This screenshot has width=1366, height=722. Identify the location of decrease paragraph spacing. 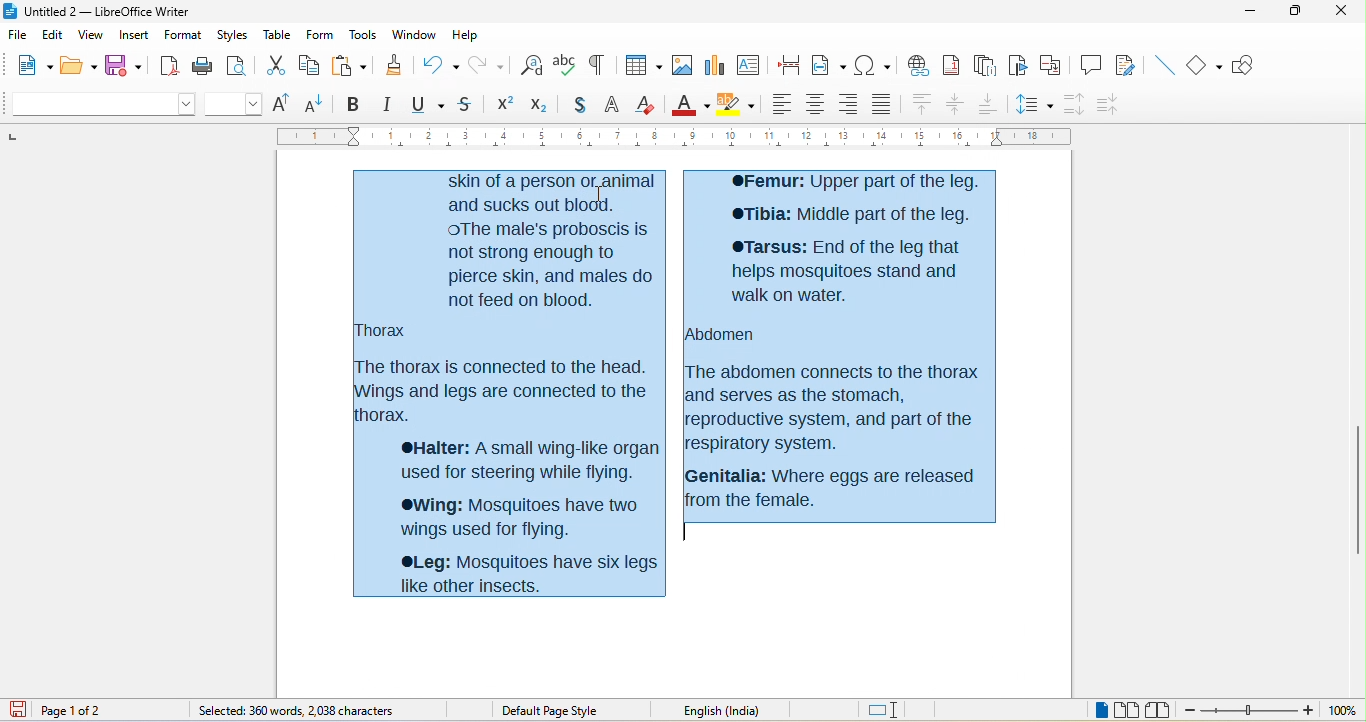
(1110, 103).